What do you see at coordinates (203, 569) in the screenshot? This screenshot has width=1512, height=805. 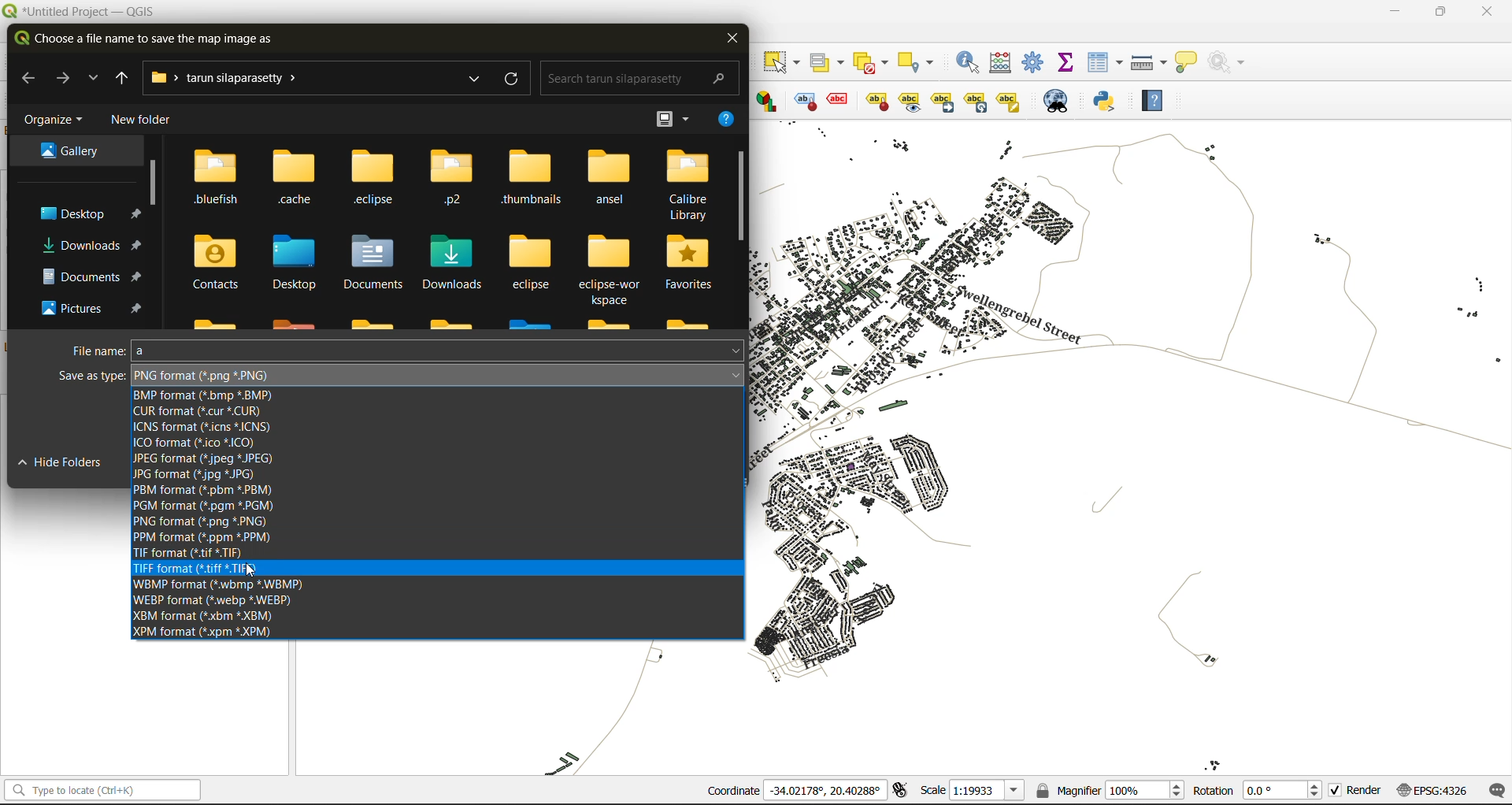 I see `tiff` at bounding box center [203, 569].